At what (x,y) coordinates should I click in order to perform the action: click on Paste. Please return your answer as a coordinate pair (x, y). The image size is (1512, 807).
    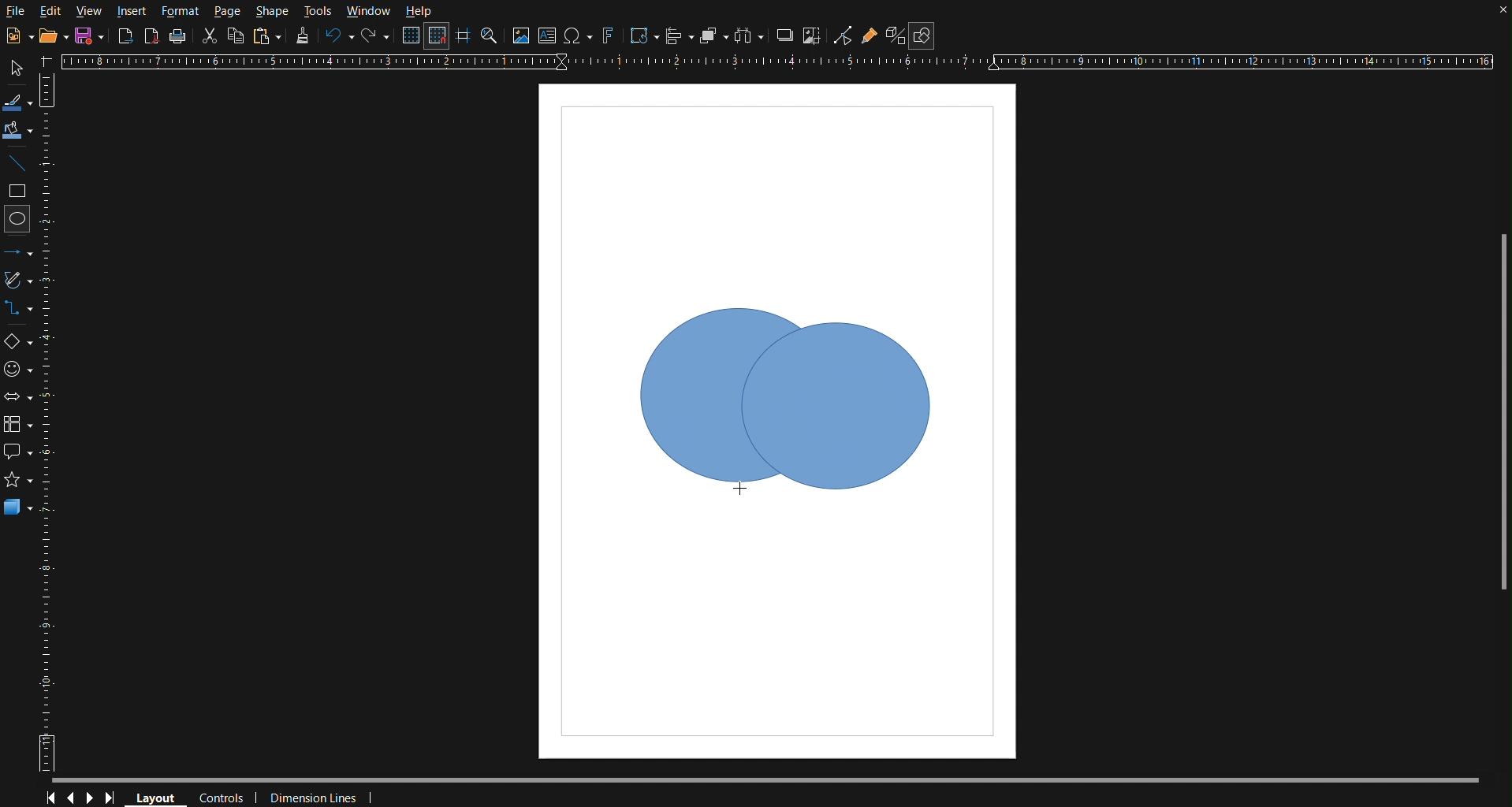
    Looking at the image, I should click on (267, 36).